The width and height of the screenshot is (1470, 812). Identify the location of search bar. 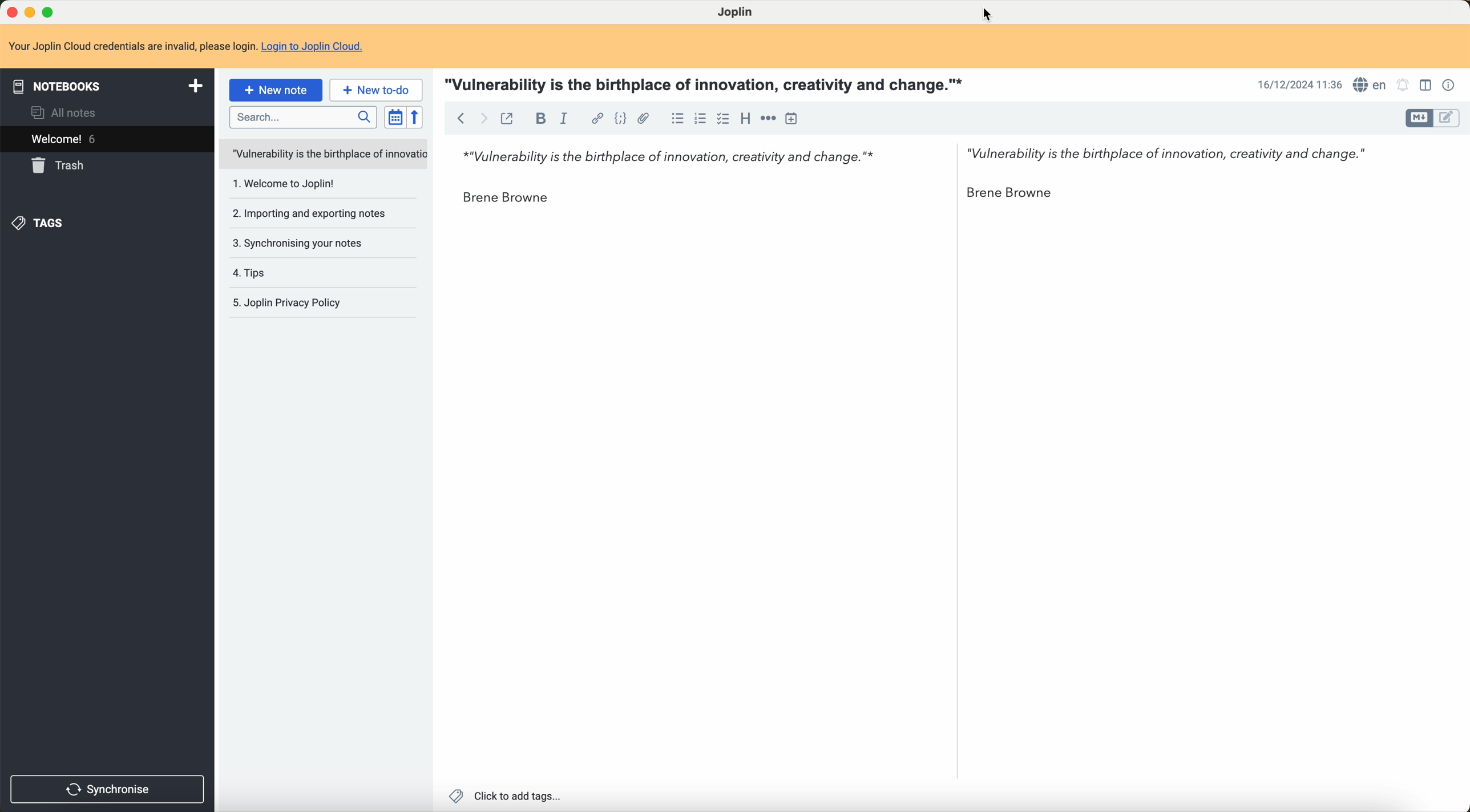
(301, 116).